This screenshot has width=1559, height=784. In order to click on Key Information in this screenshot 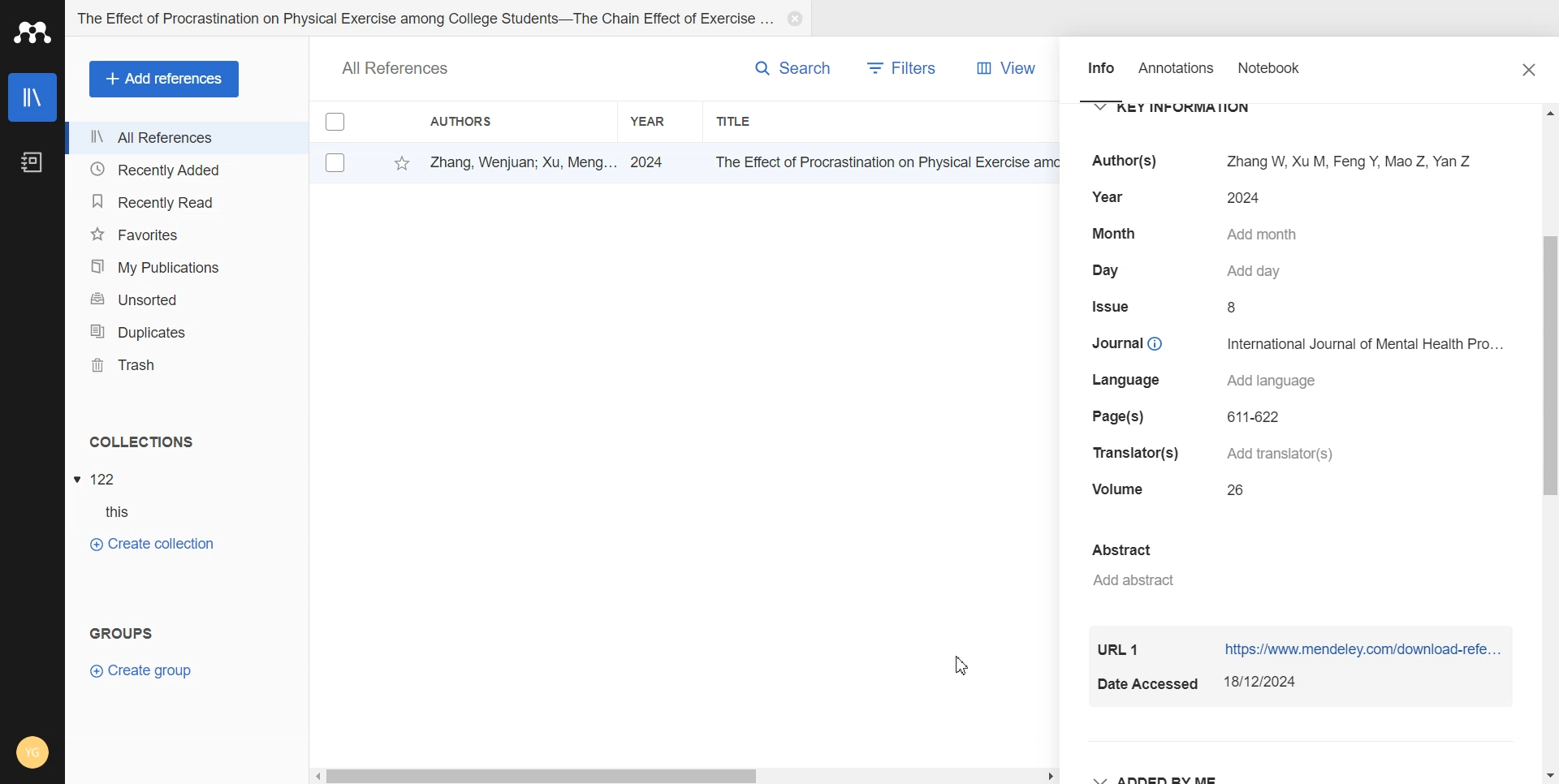, I will do `click(1183, 109)`.